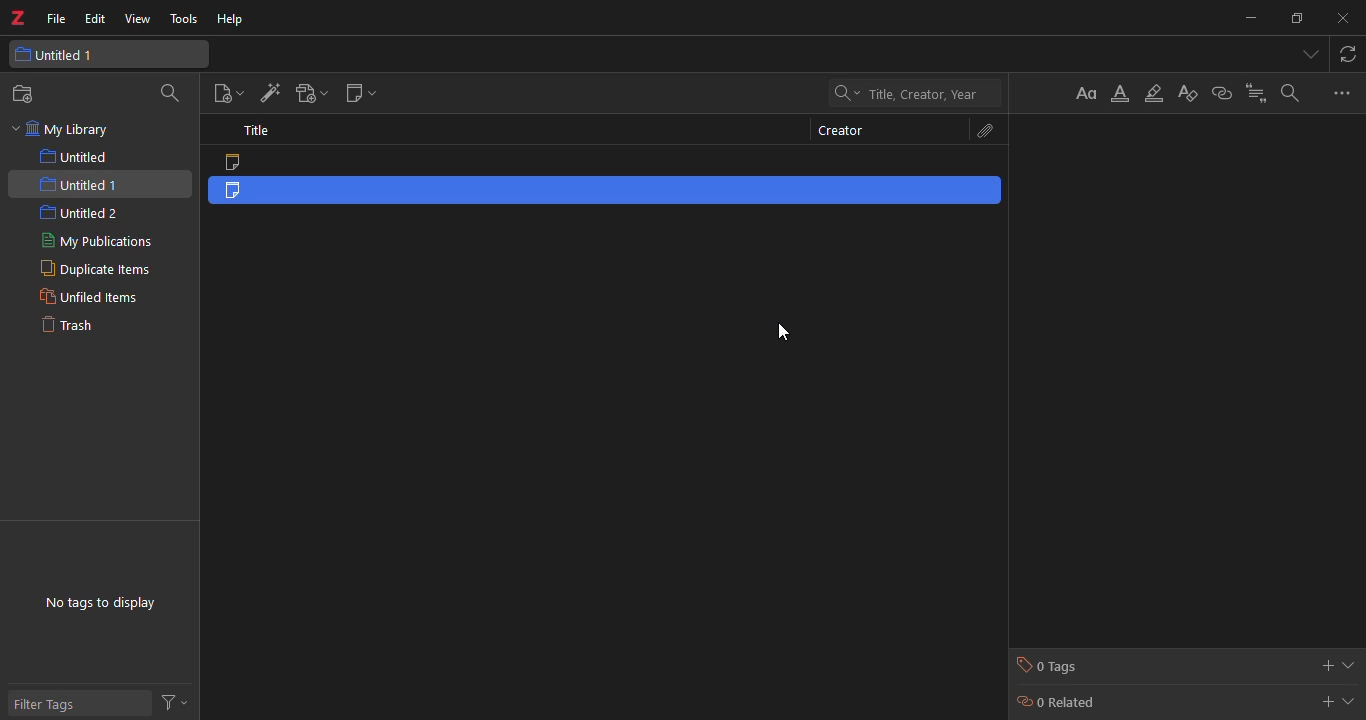 Image resolution: width=1366 pixels, height=720 pixels. I want to click on note, so click(235, 189).